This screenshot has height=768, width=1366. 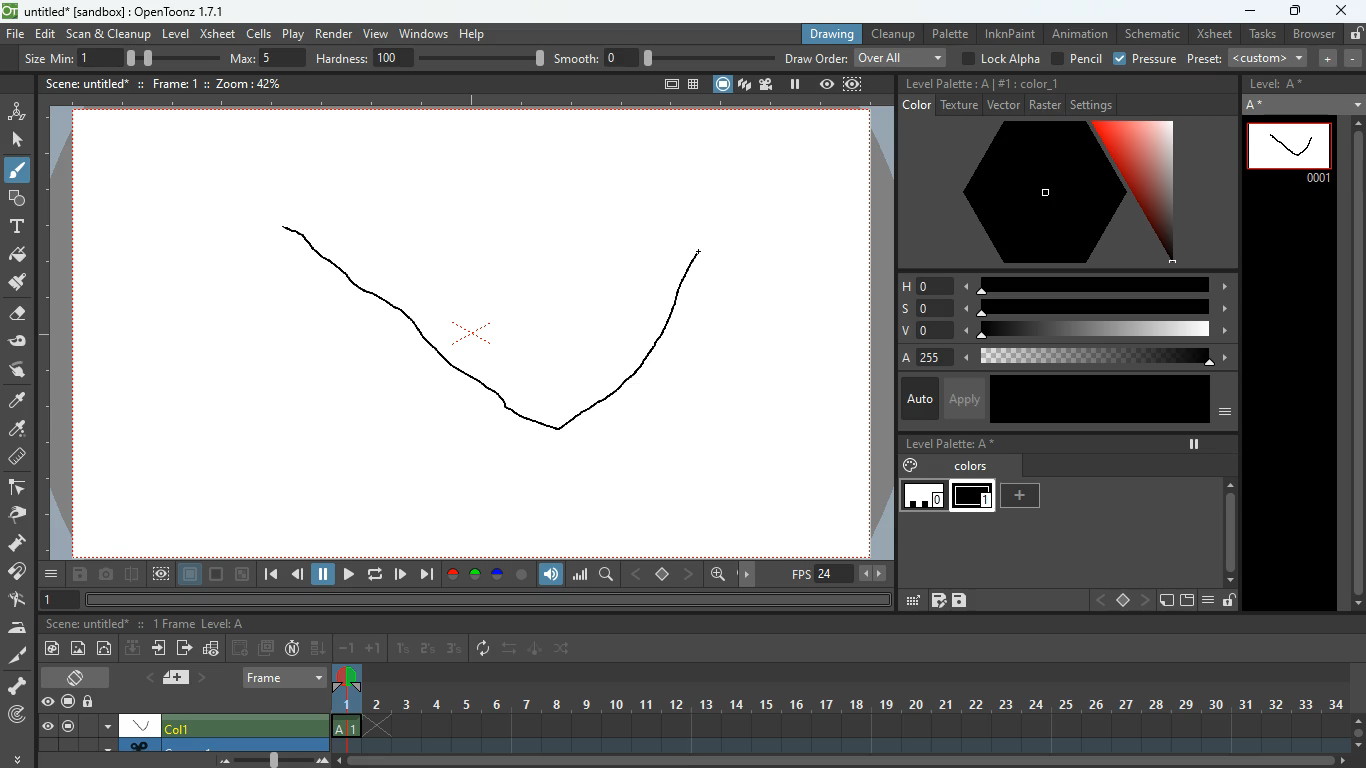 I want to click on horizontal scale, so click(x=461, y=104).